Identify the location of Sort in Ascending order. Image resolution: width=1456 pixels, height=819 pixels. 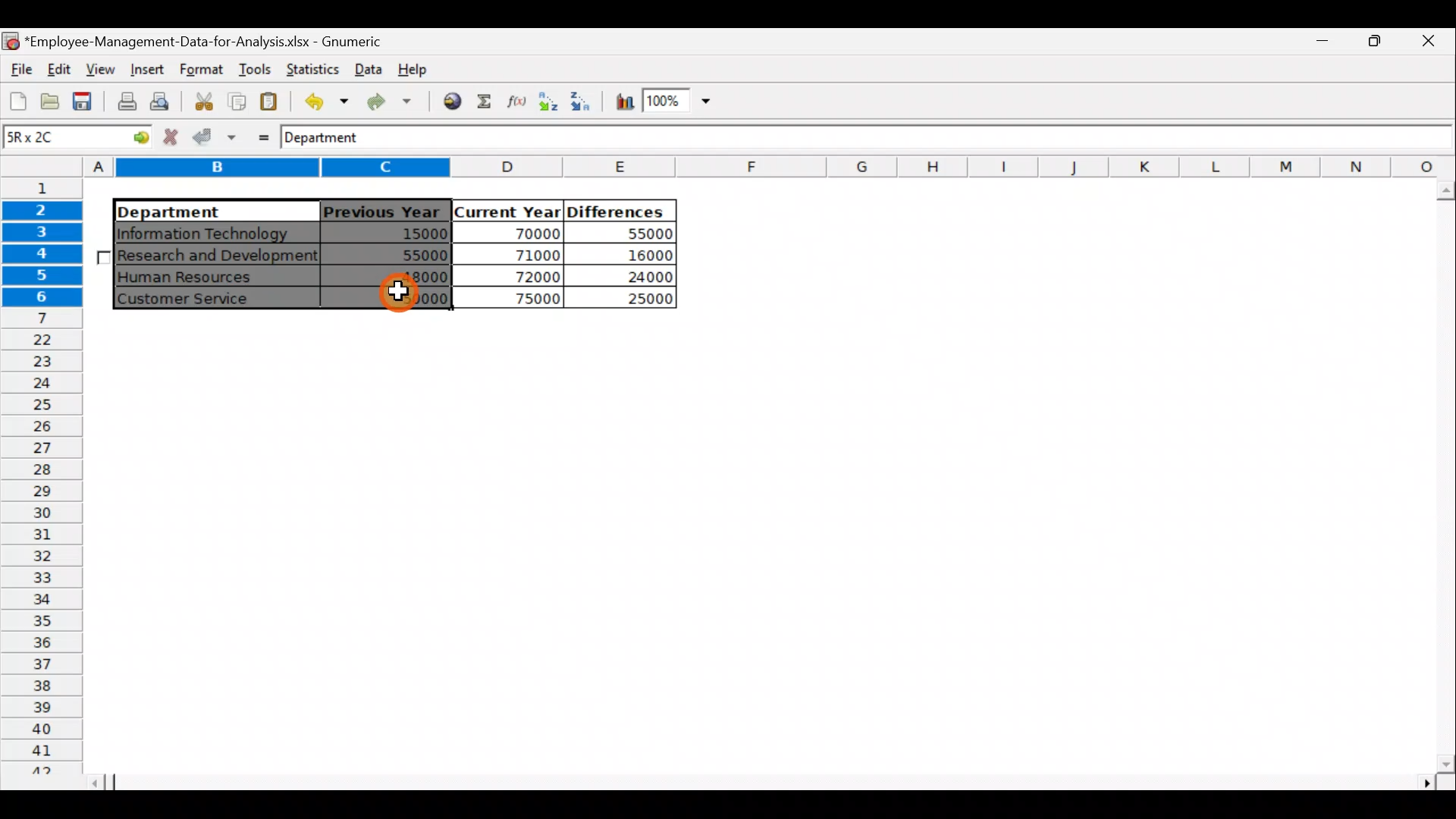
(548, 101).